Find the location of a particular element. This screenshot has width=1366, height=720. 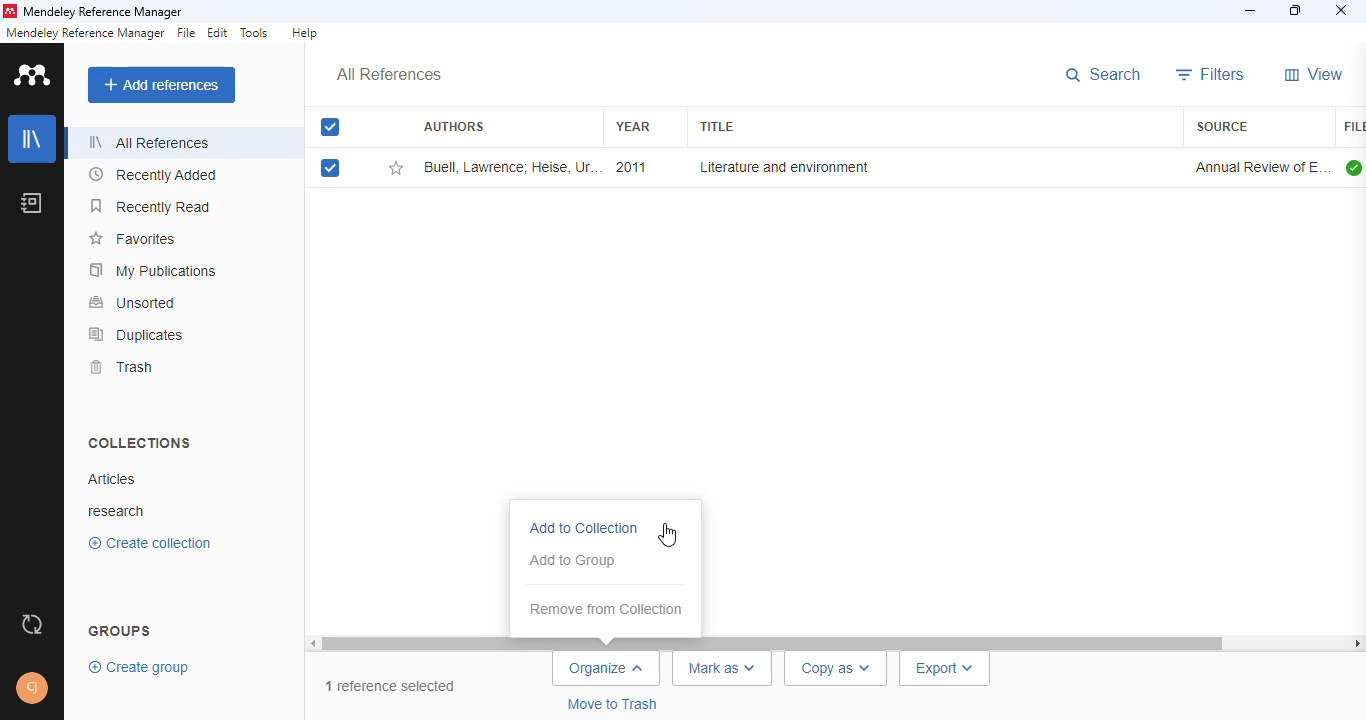

sync is located at coordinates (30, 627).